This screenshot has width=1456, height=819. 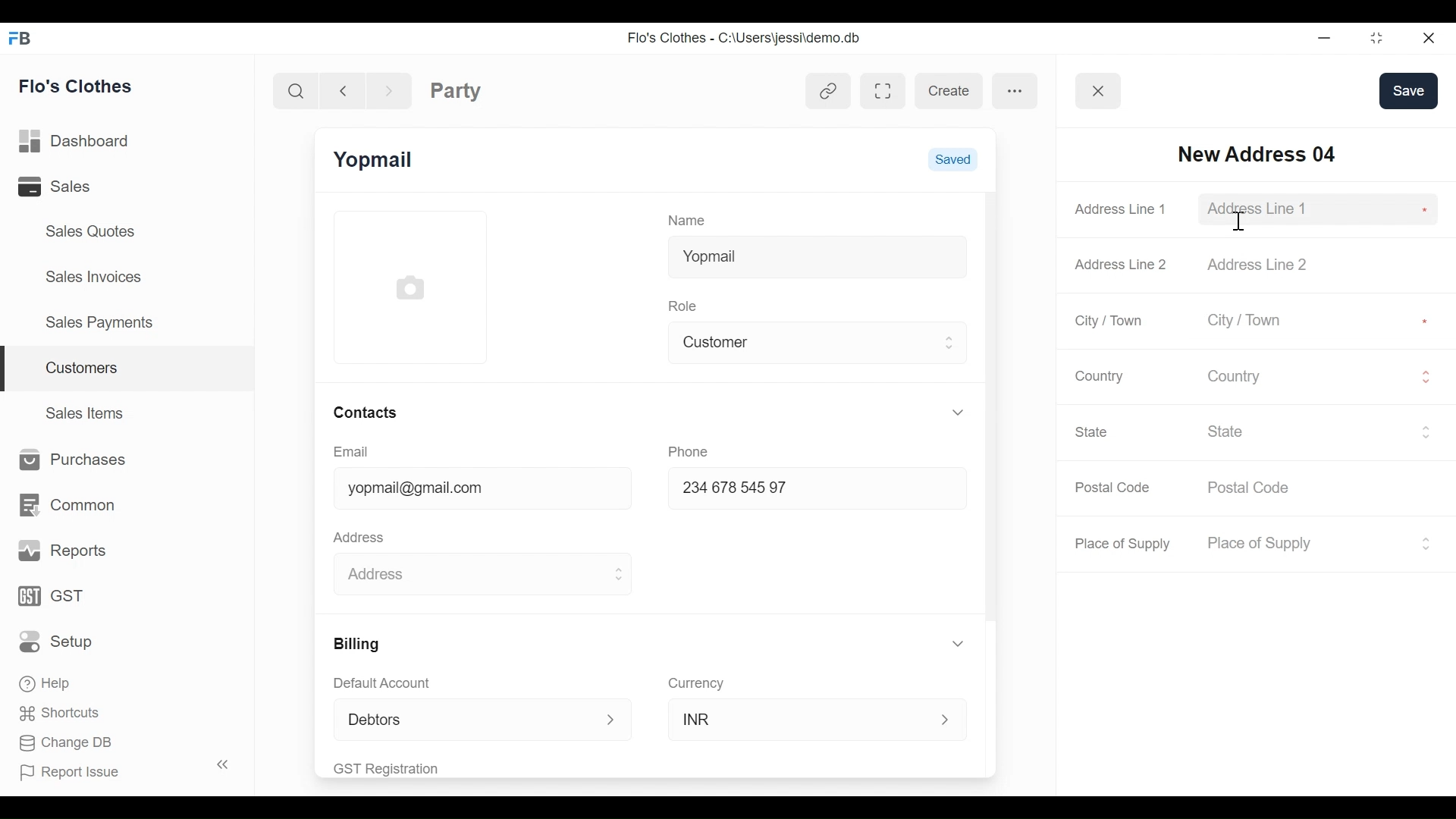 I want to click on Address Line 1, so click(x=1122, y=209).